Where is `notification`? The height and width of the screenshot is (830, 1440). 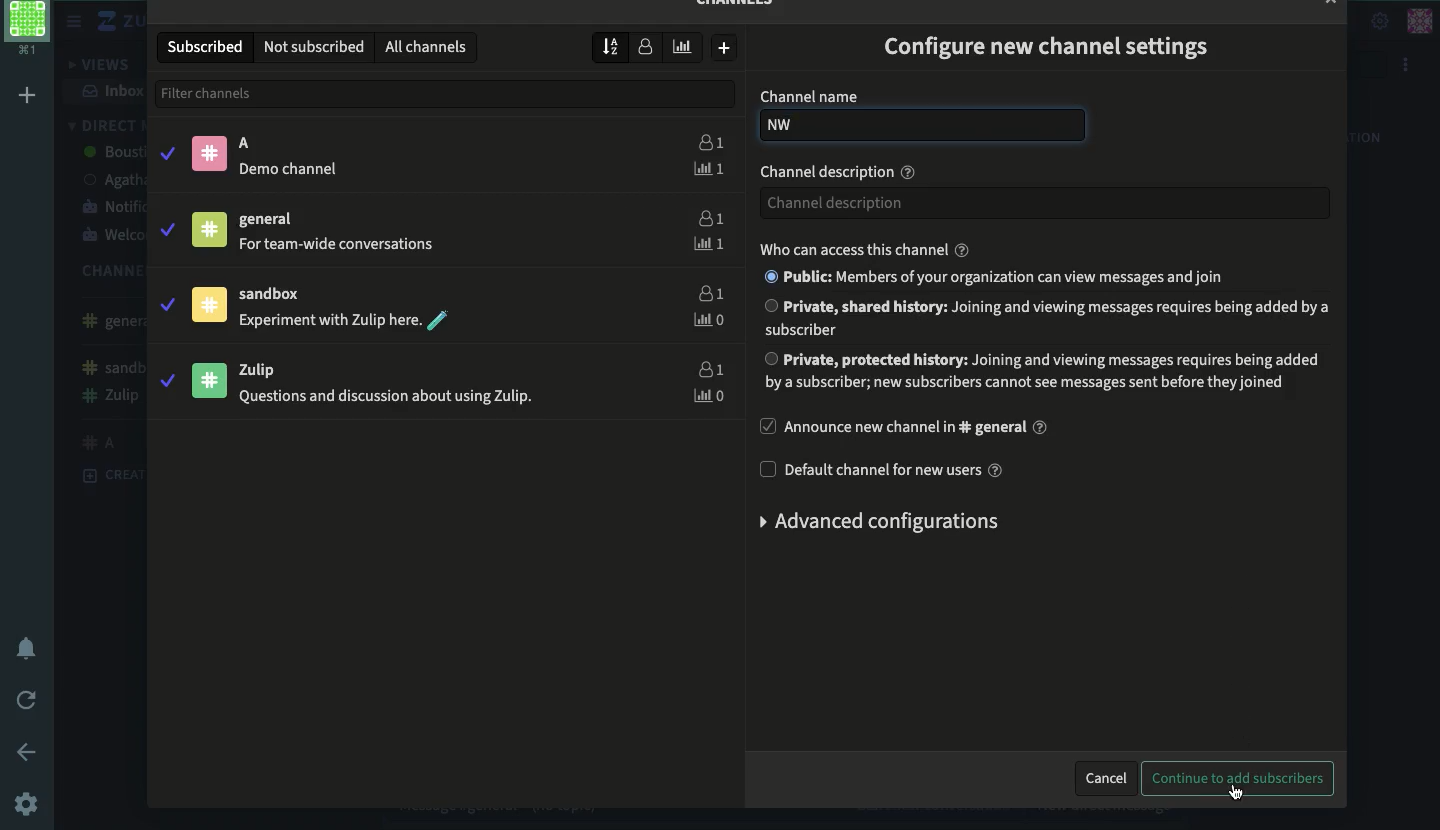
notification is located at coordinates (34, 652).